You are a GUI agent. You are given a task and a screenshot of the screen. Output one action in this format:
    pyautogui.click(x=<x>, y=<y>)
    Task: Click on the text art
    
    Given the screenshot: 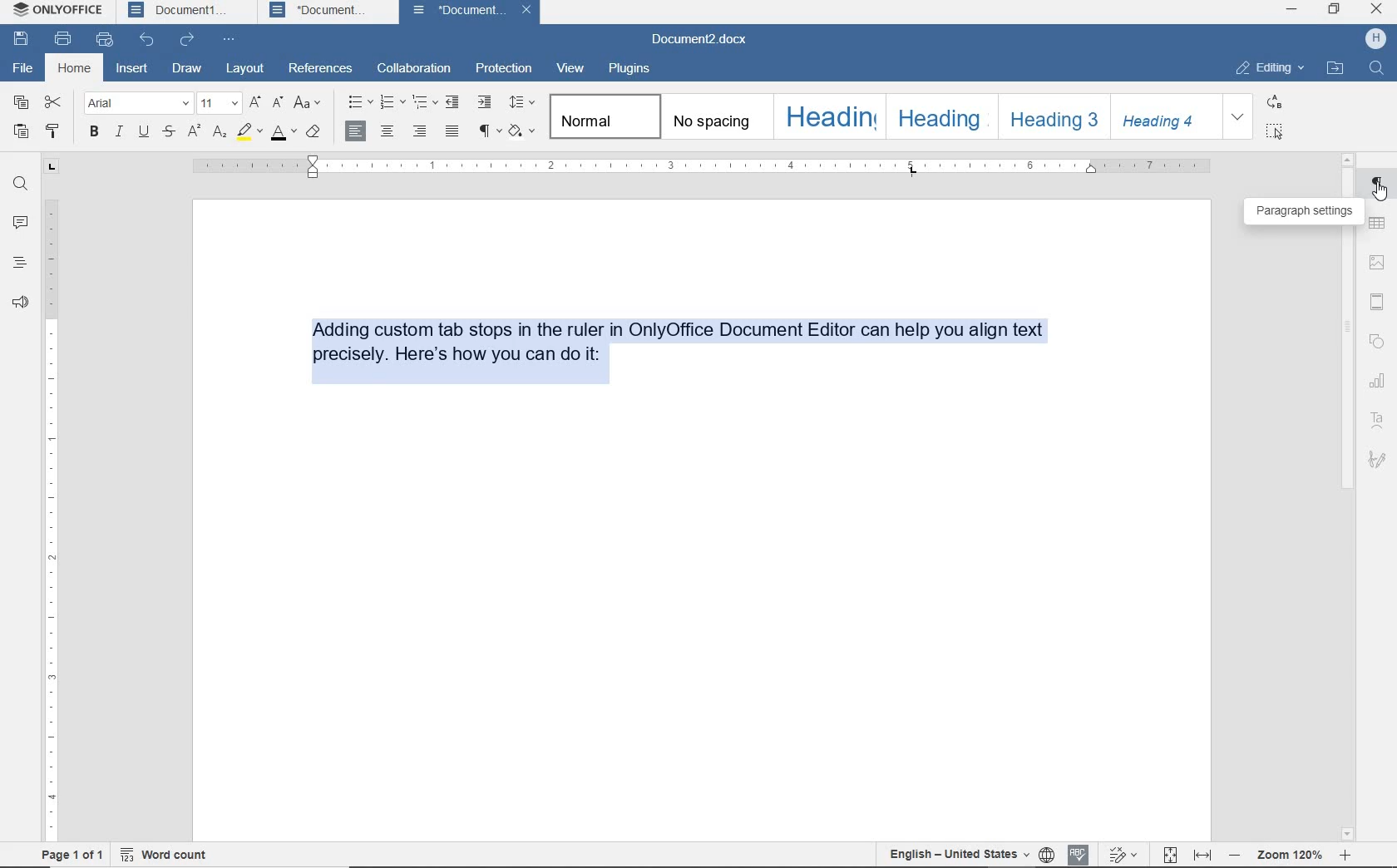 What is the action you would take?
    pyautogui.click(x=1379, y=414)
    